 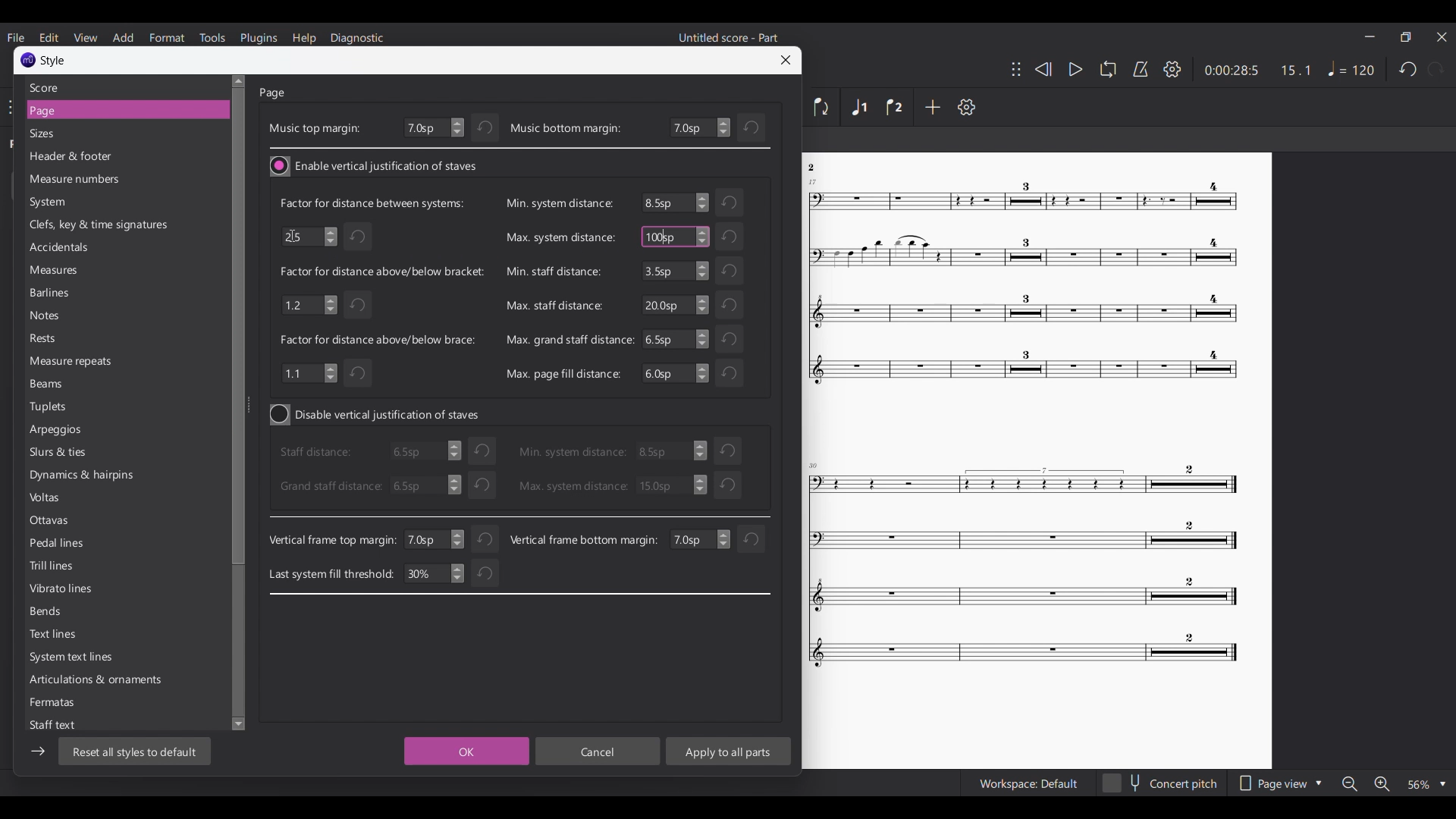 What do you see at coordinates (1016, 69) in the screenshot?
I see `Change toolbar position` at bounding box center [1016, 69].